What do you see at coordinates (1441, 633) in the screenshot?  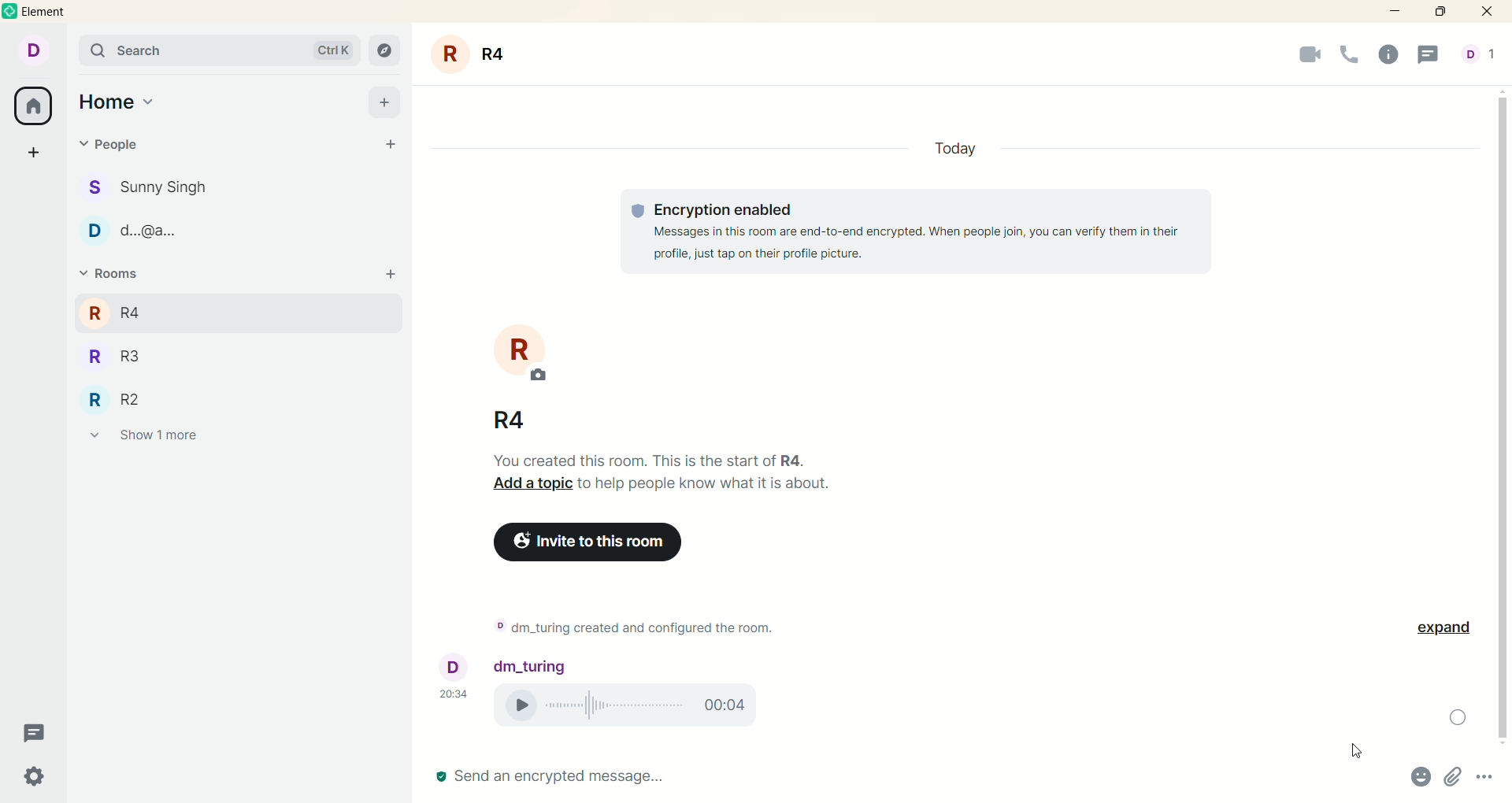 I see `` at bounding box center [1441, 633].